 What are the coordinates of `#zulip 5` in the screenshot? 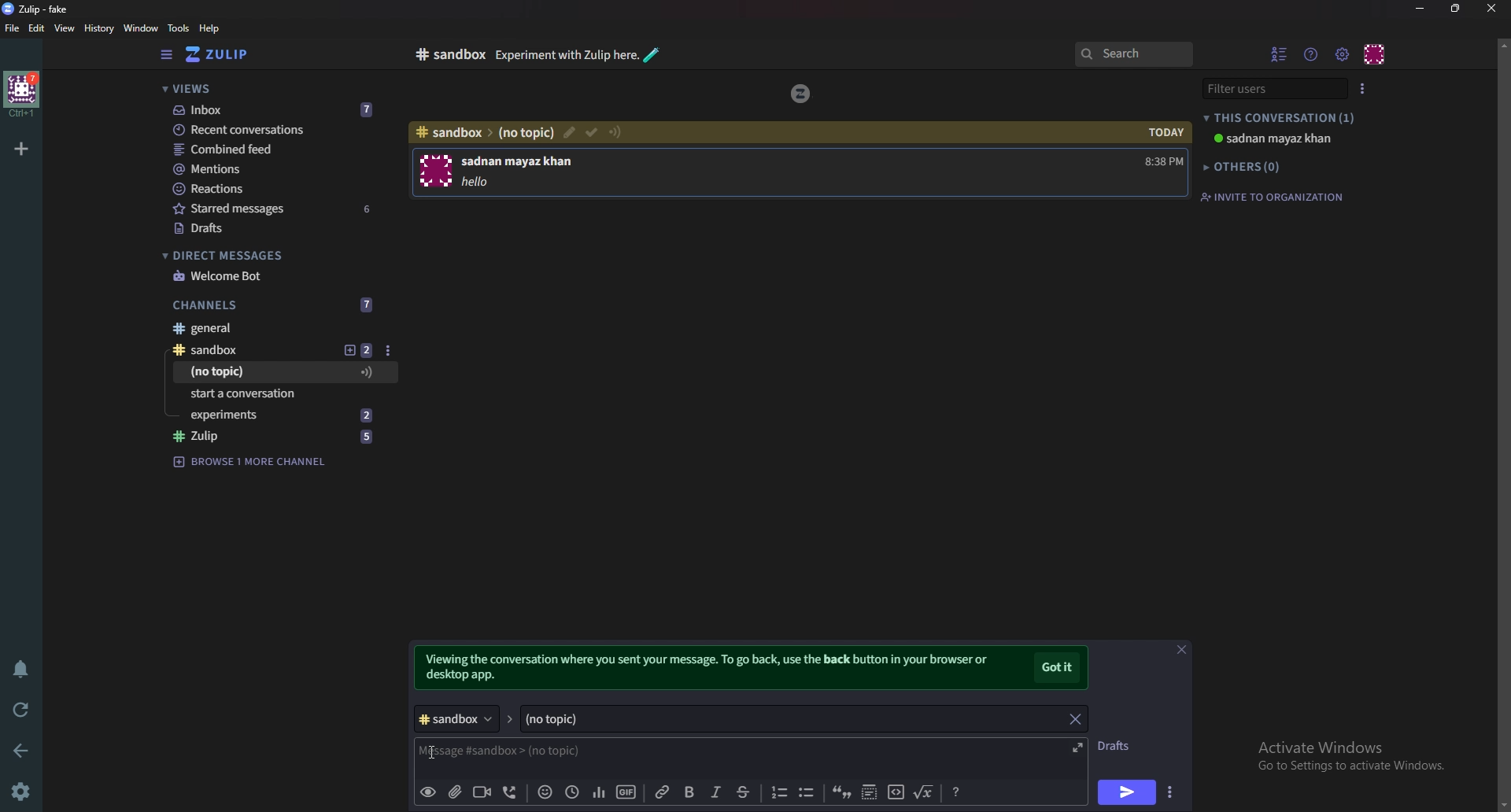 It's located at (277, 438).